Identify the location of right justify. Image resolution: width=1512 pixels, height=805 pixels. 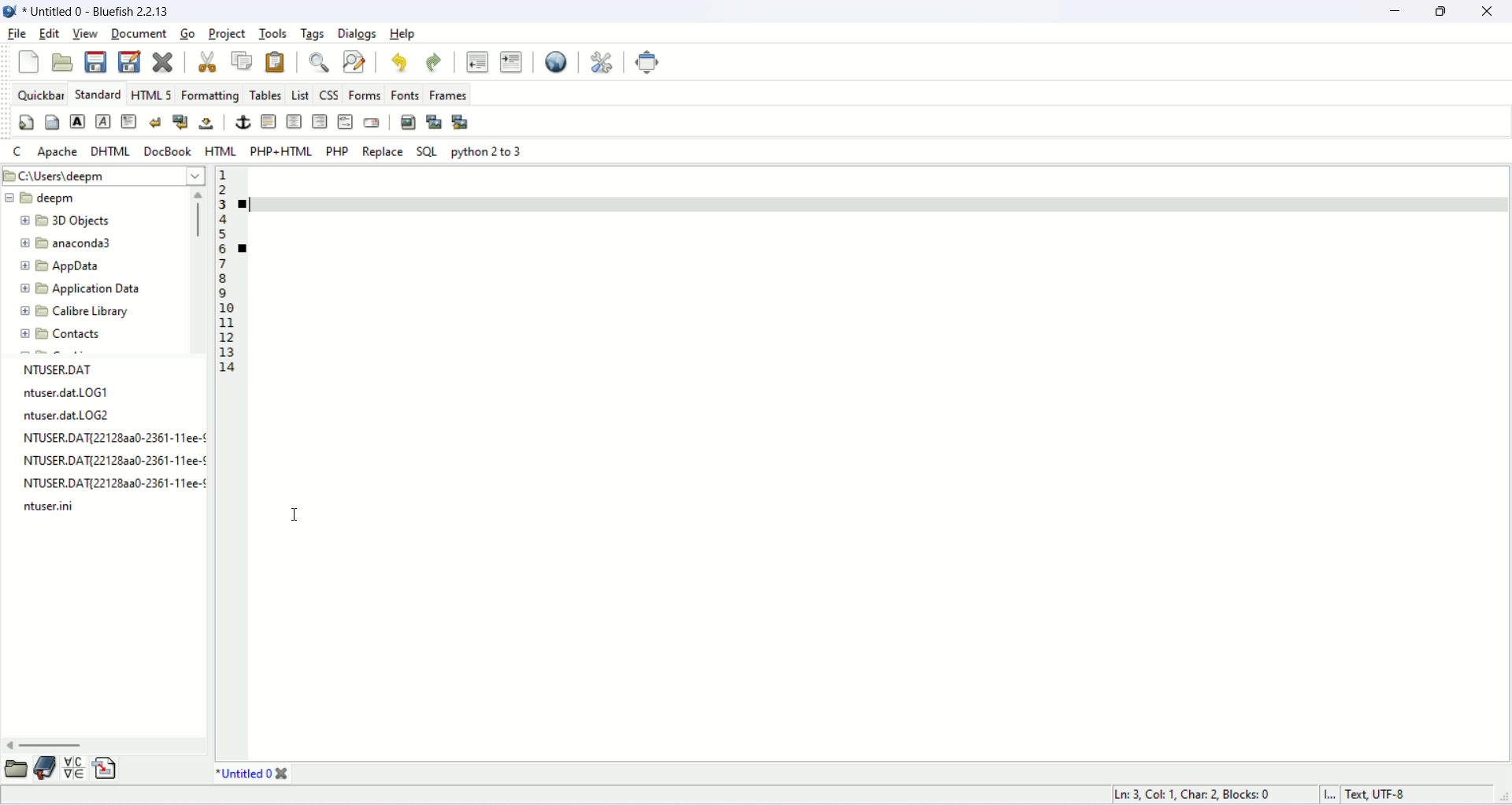
(320, 122).